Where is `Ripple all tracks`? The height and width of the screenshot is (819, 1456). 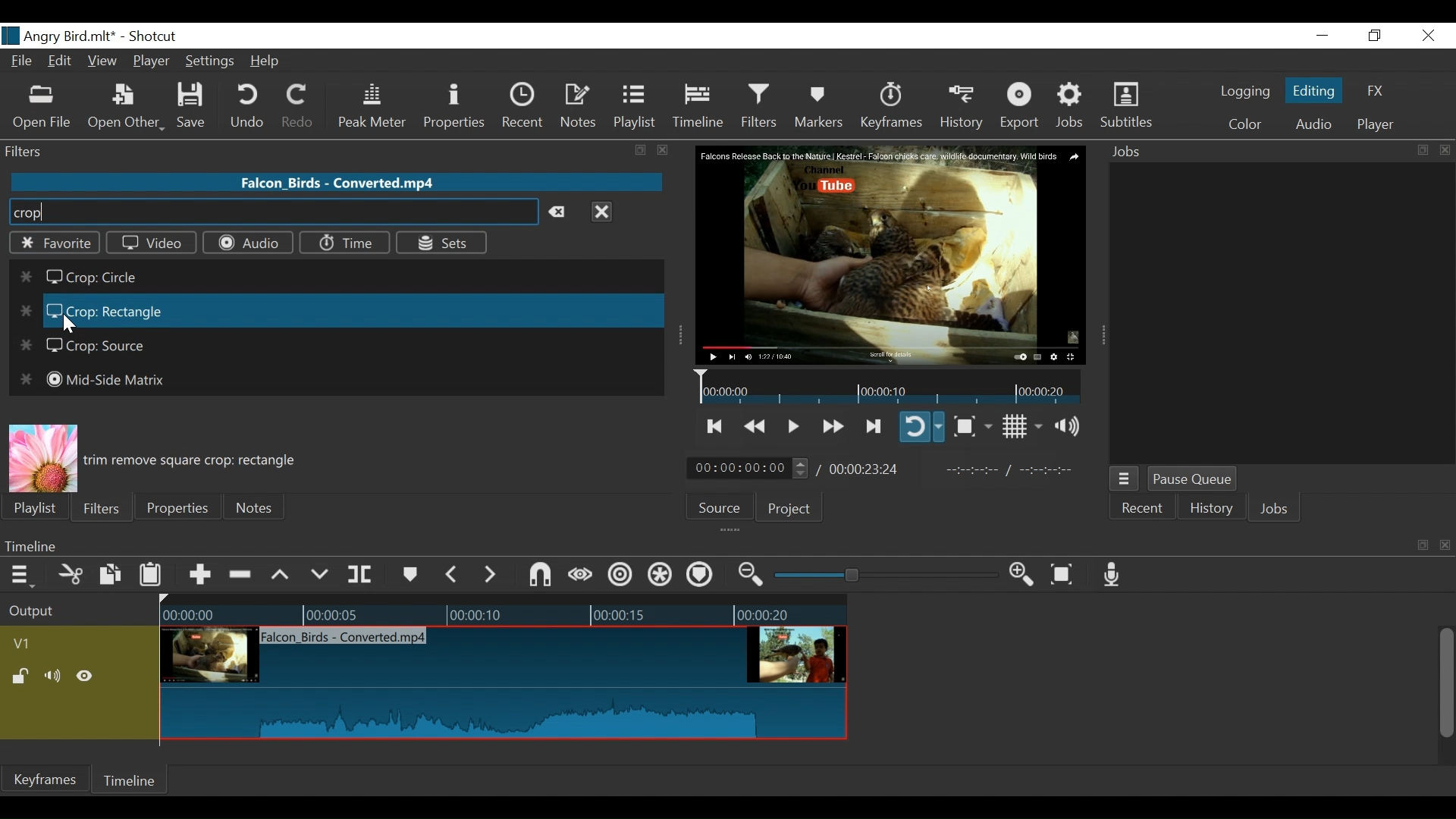 Ripple all tracks is located at coordinates (699, 576).